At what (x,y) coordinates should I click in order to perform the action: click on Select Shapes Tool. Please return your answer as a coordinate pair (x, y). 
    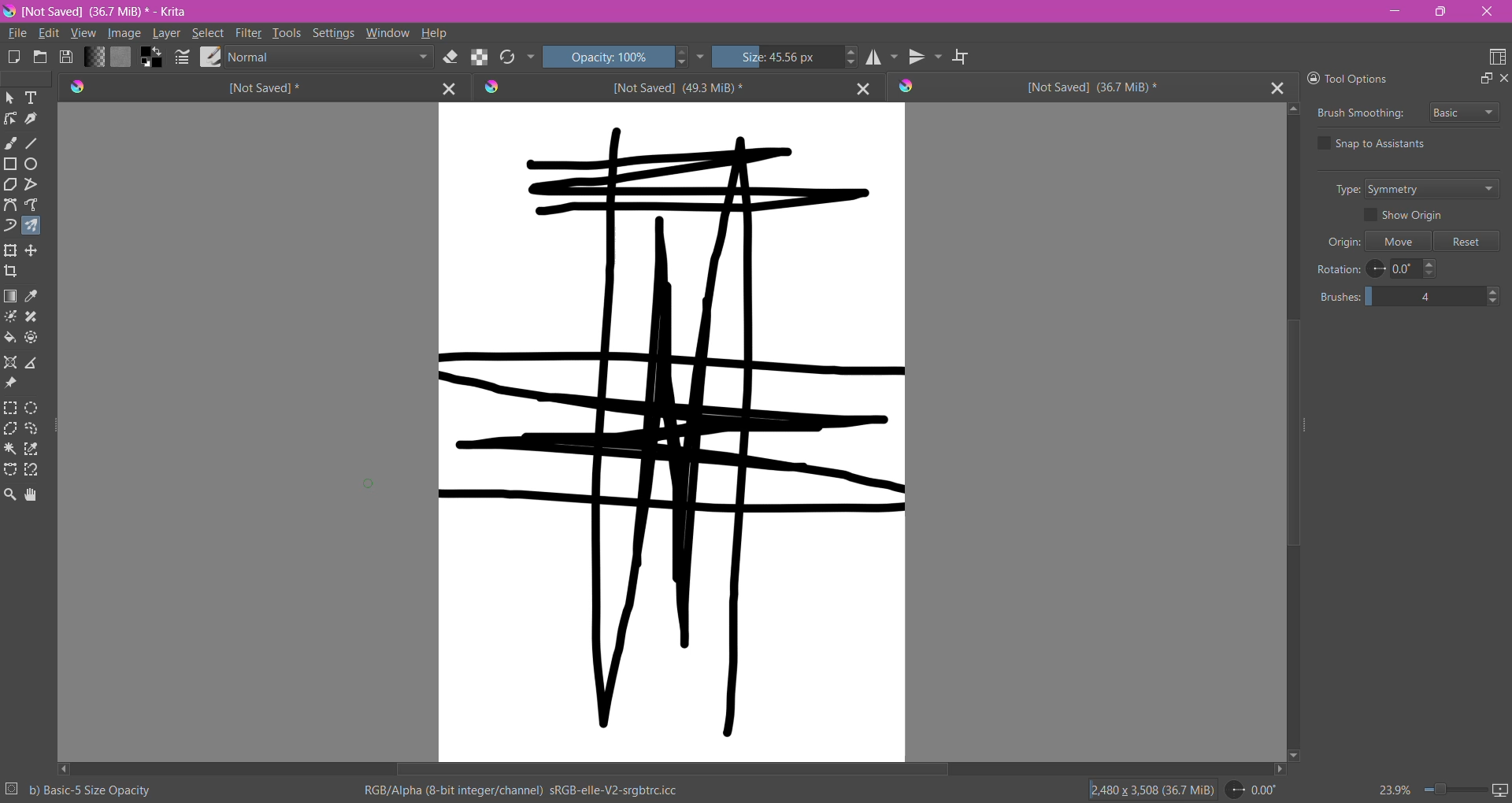
    Looking at the image, I should click on (10, 98).